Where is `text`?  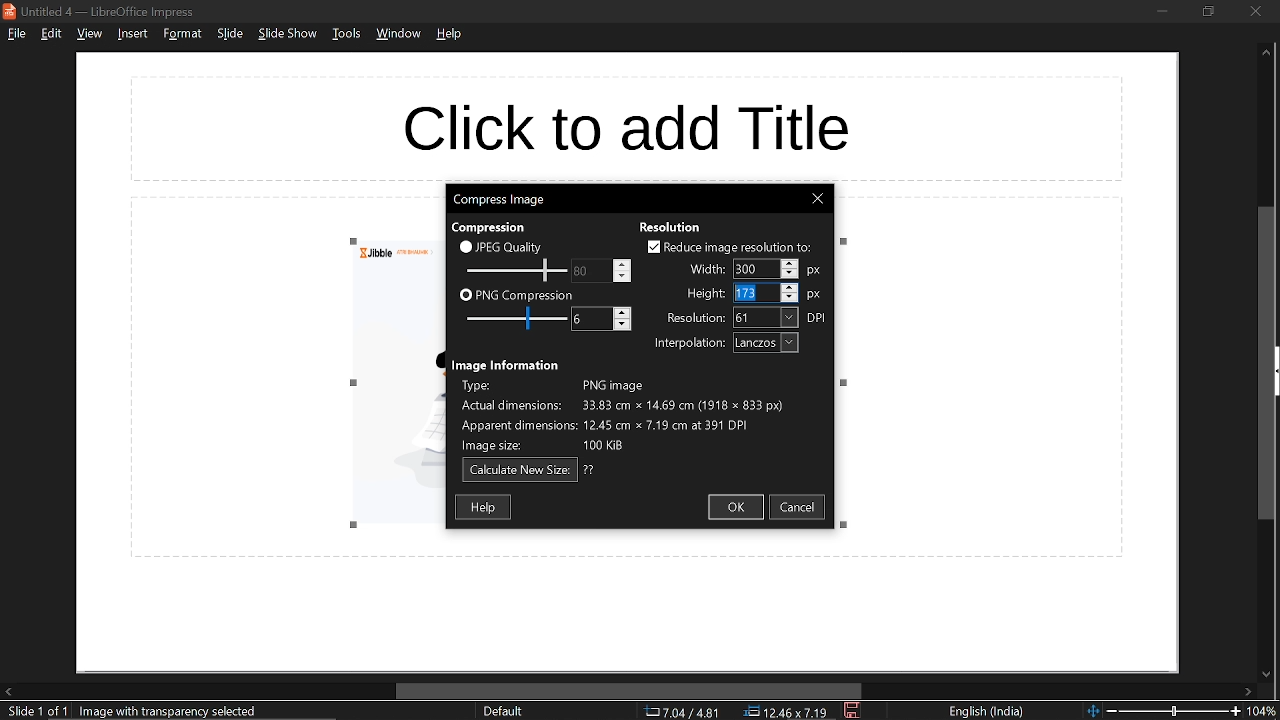 text is located at coordinates (689, 344).